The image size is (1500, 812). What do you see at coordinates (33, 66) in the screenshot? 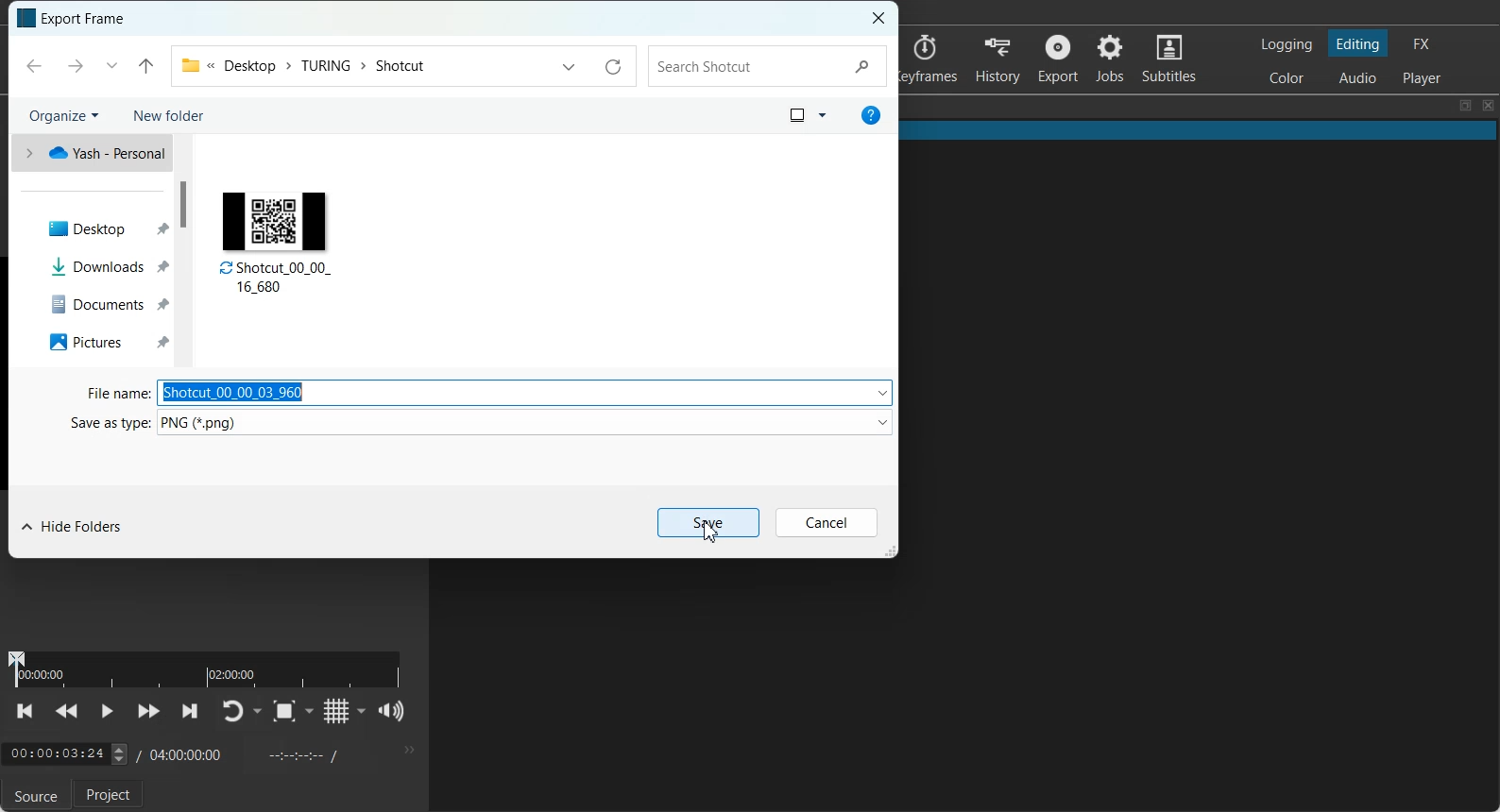
I see `Back` at bounding box center [33, 66].